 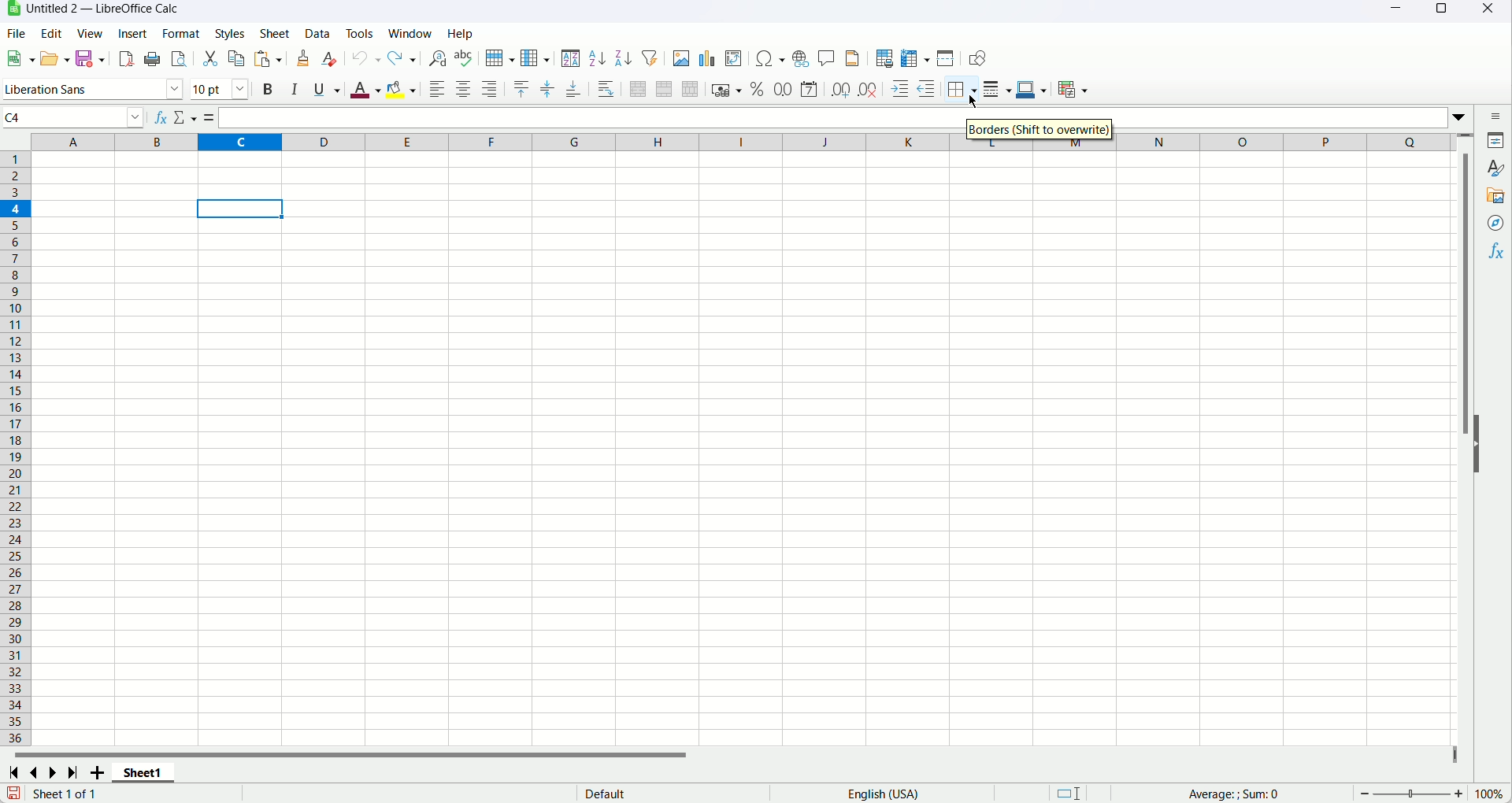 I want to click on Insert comment, so click(x=826, y=57).